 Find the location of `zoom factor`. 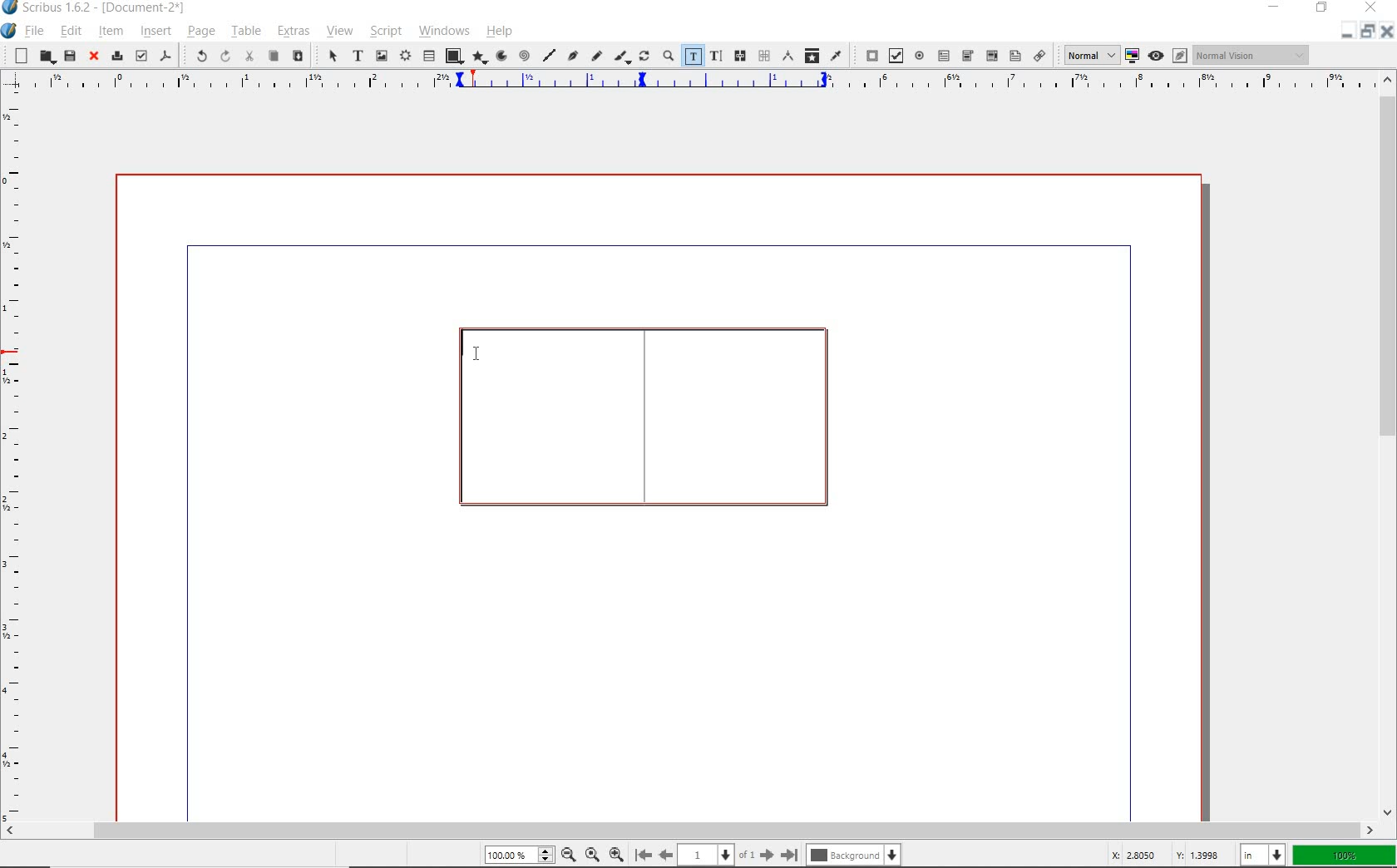

zoom factor is located at coordinates (1343, 854).